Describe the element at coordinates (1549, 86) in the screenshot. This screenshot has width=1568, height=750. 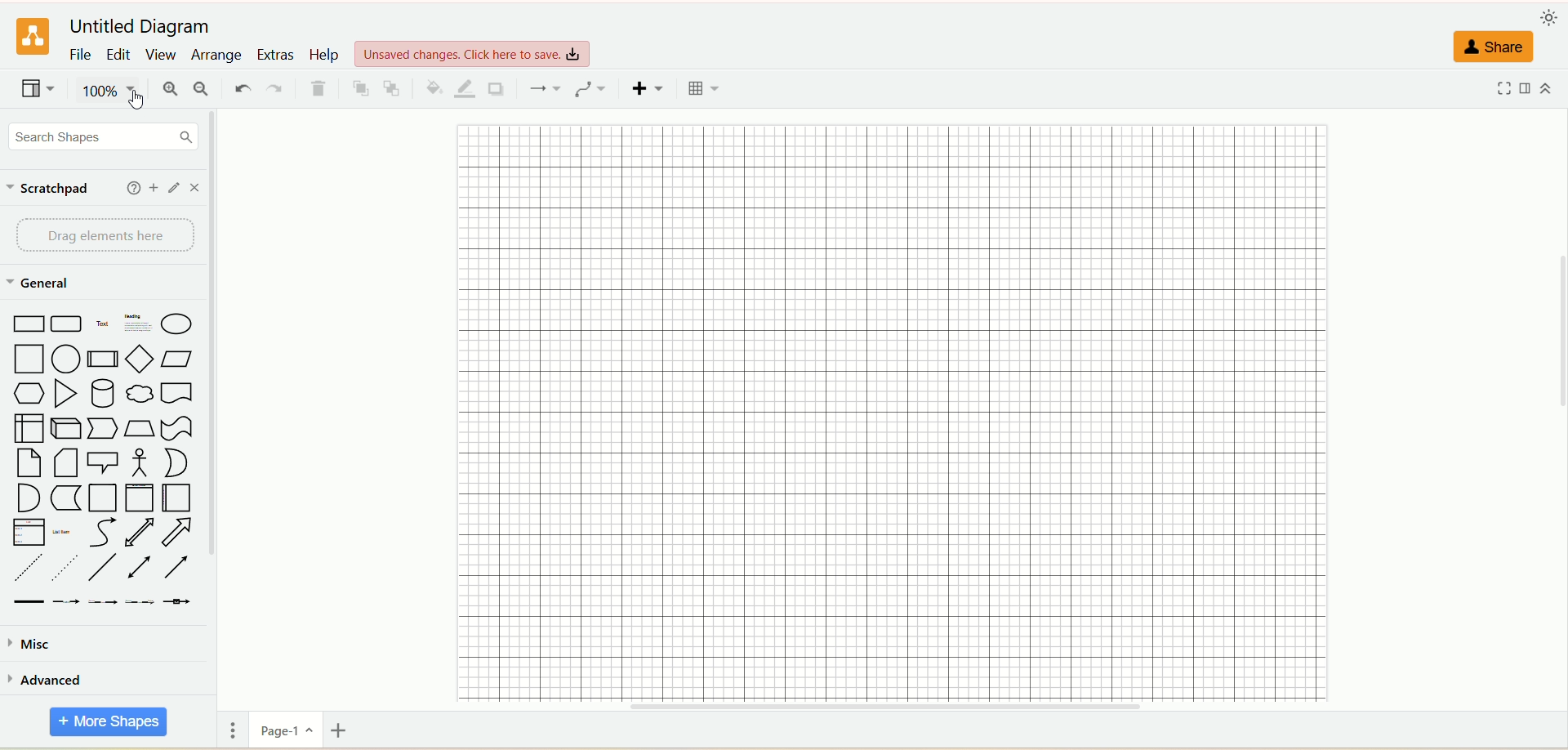
I see `expand/collapse` at that location.